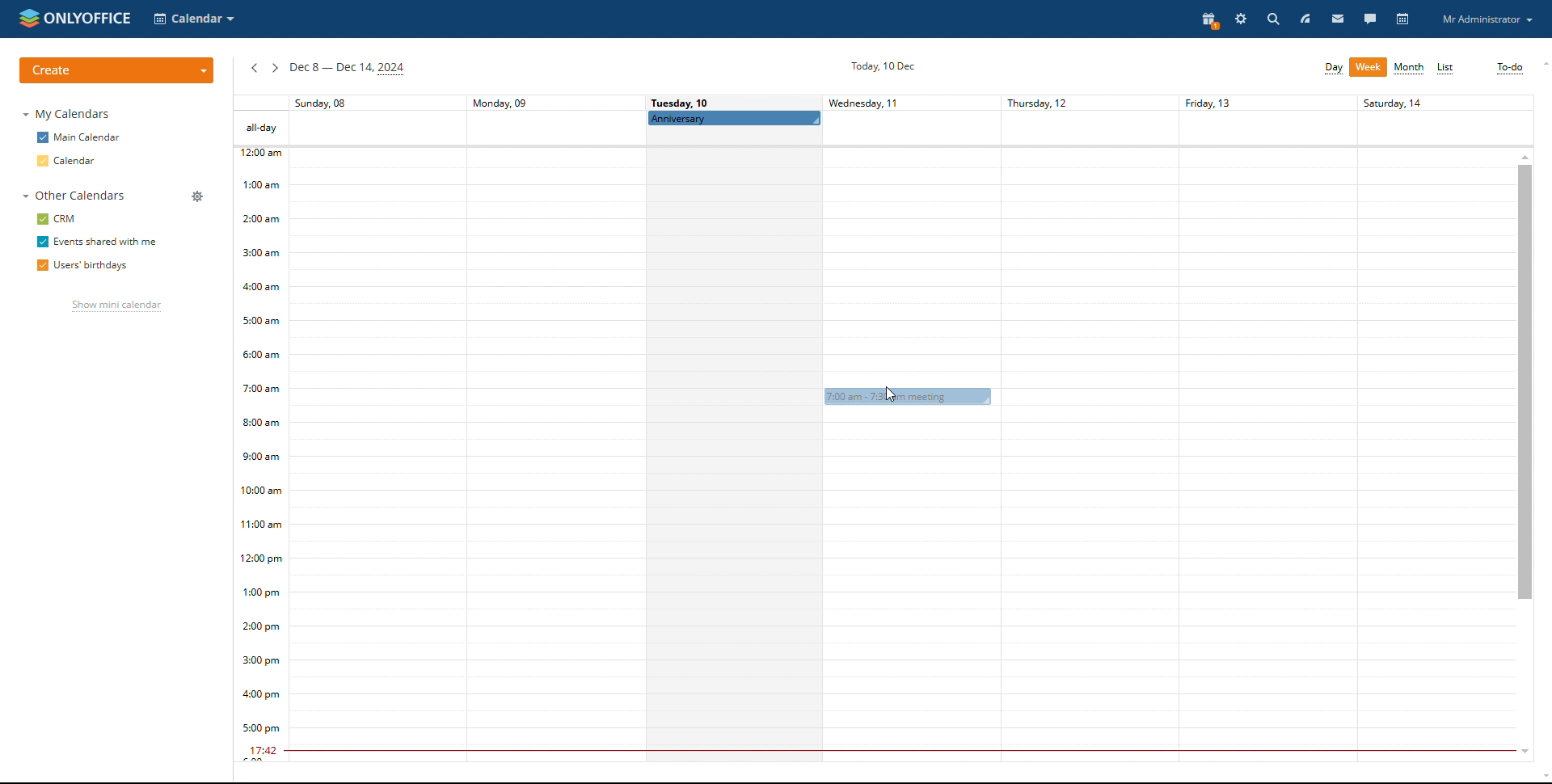 The height and width of the screenshot is (784, 1552). What do you see at coordinates (1242, 20) in the screenshot?
I see `settings` at bounding box center [1242, 20].